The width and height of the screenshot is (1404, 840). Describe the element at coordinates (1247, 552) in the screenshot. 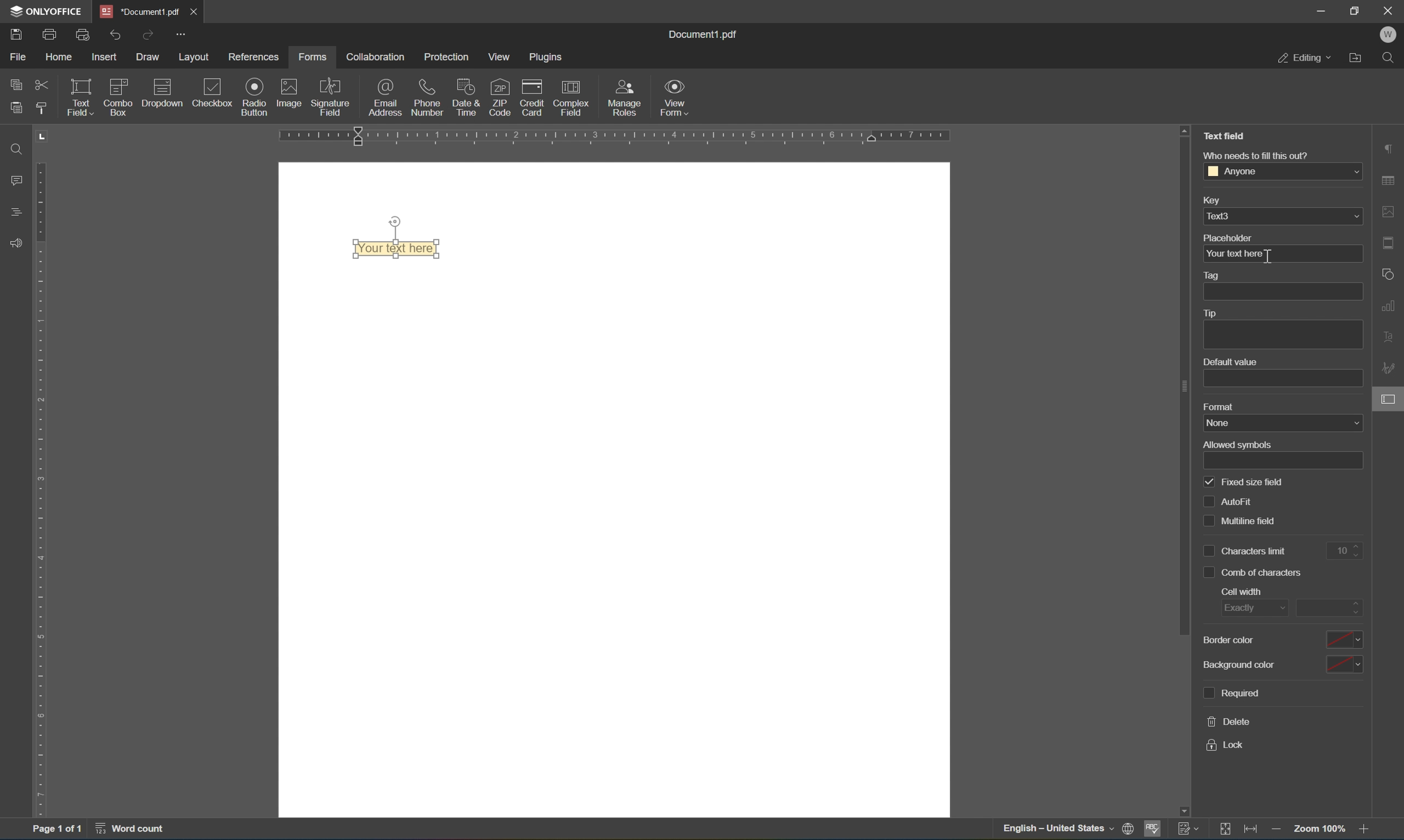

I see `characters limit` at that location.